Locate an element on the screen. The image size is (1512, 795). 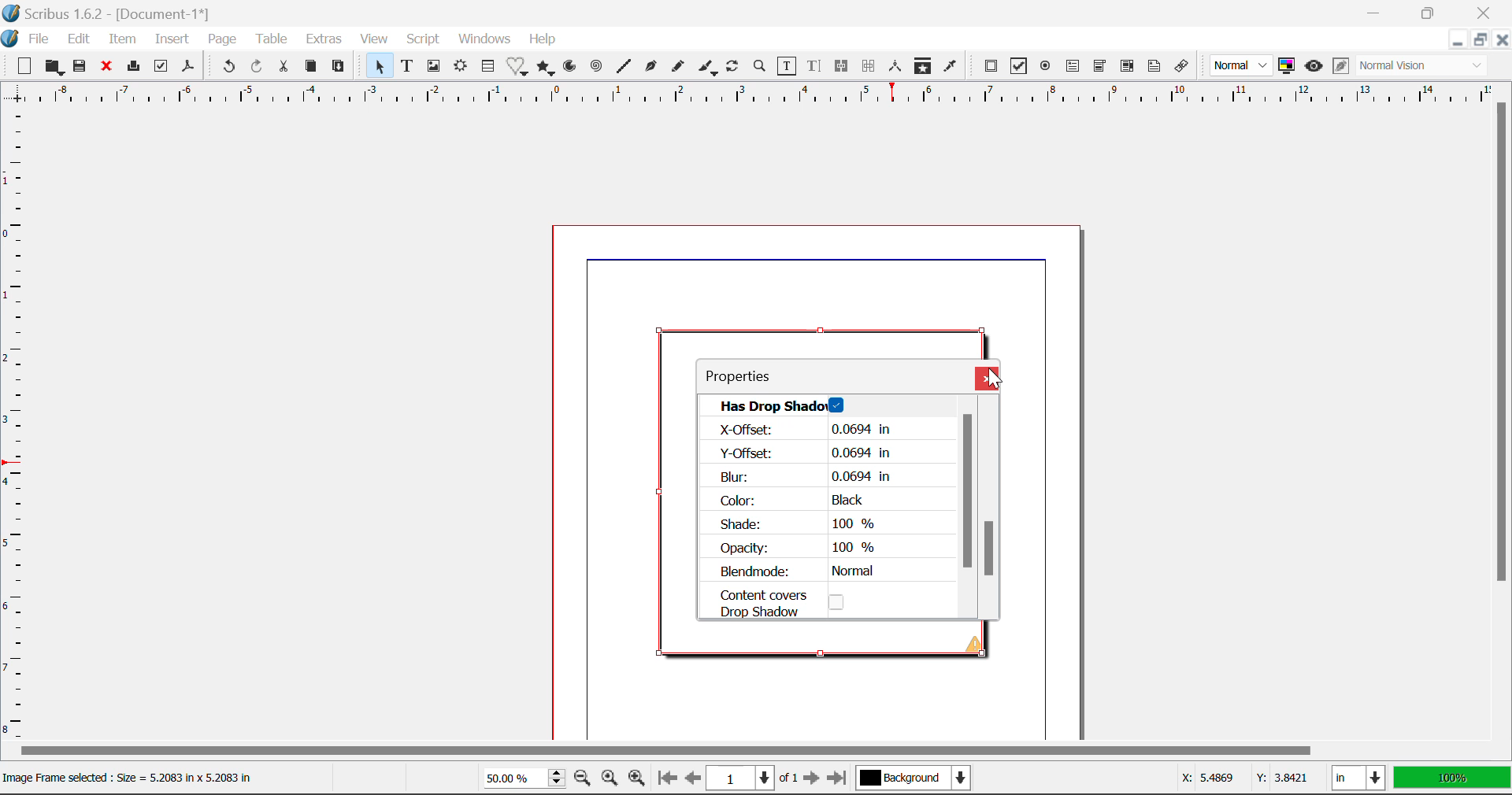
Cursor on Close is located at coordinates (992, 376).